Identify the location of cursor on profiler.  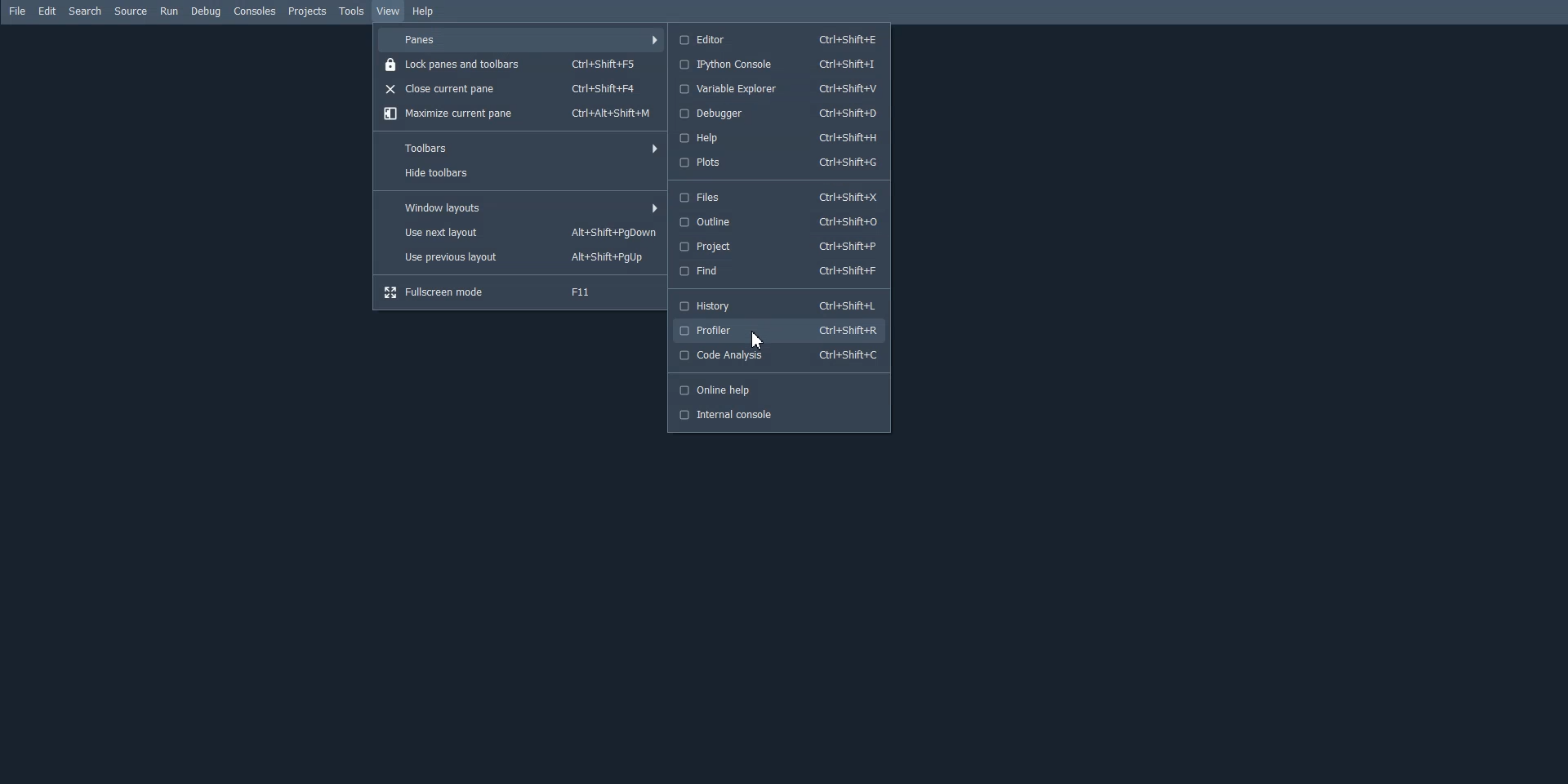
(755, 340).